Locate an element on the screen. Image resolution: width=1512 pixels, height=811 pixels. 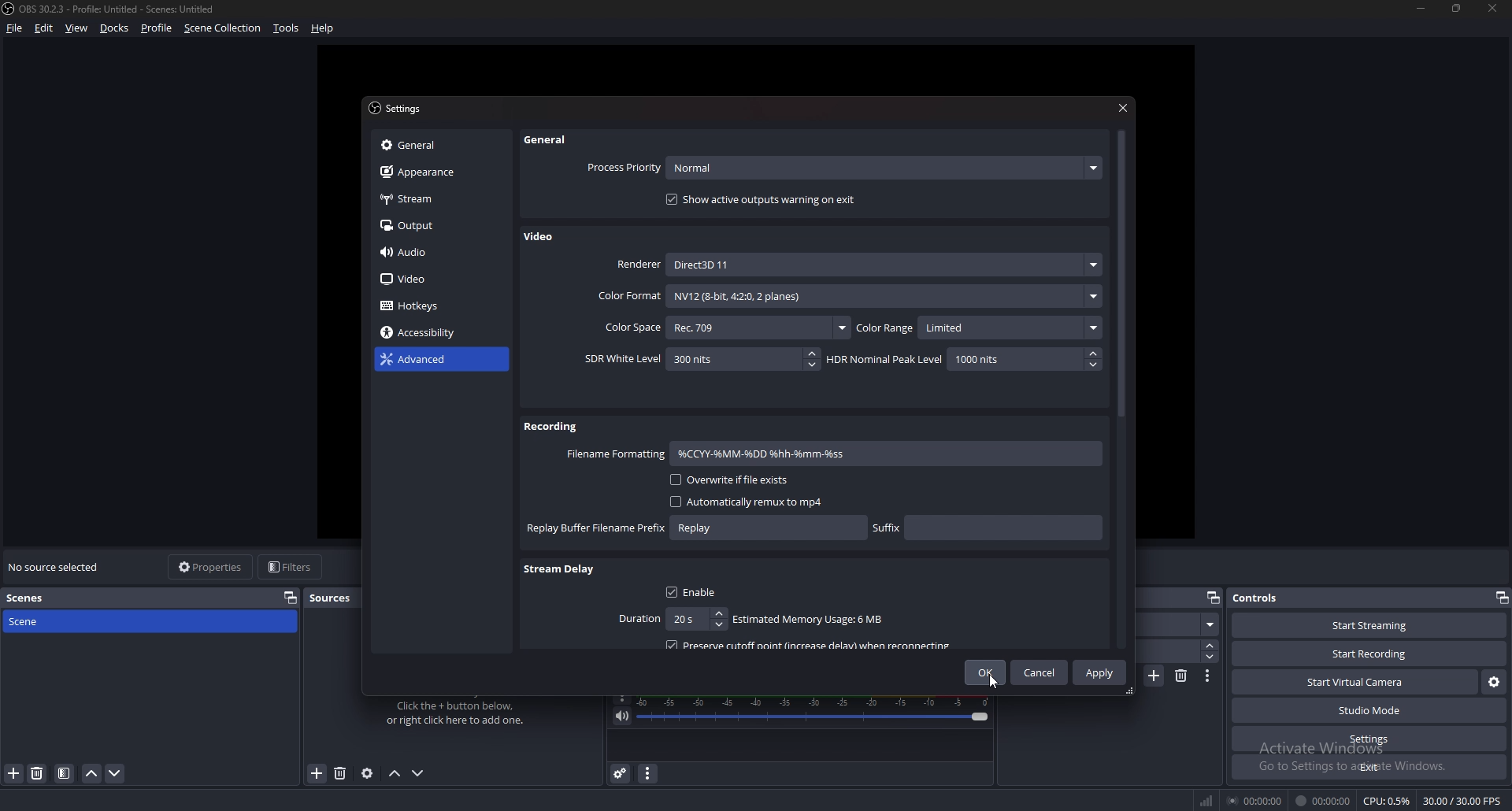
general is located at coordinates (552, 139).